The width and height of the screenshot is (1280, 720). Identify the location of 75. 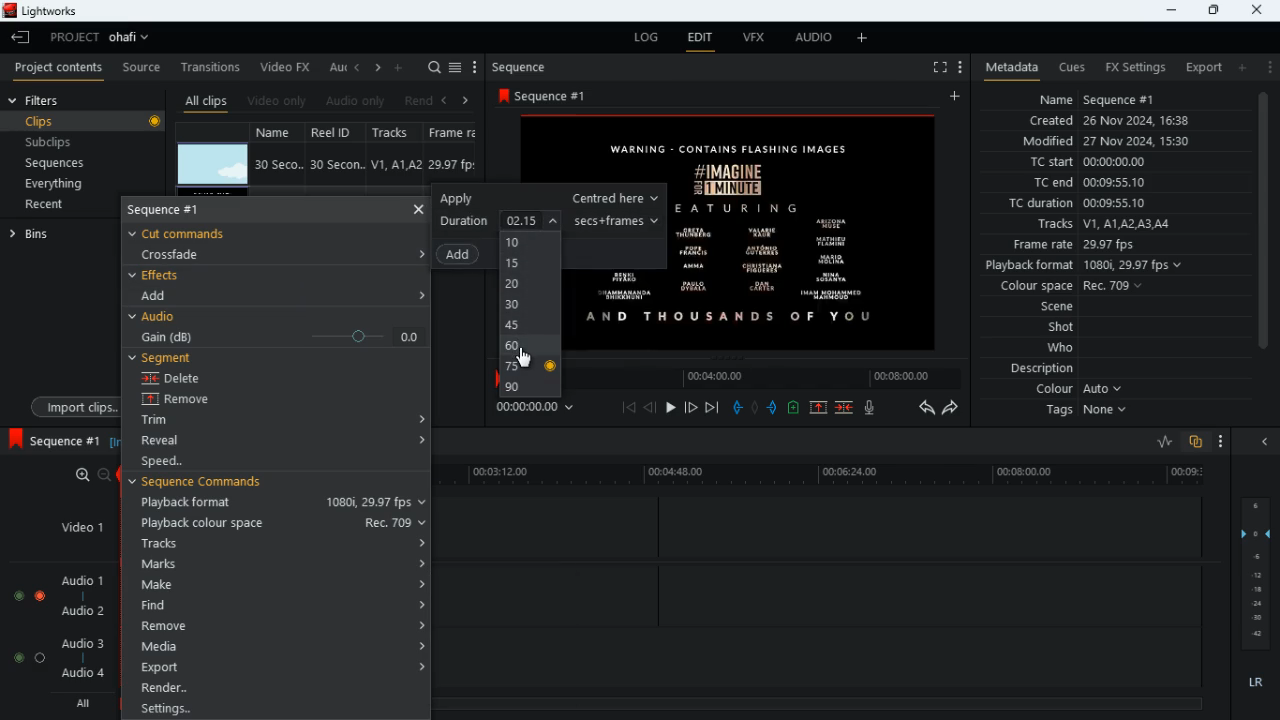
(530, 368).